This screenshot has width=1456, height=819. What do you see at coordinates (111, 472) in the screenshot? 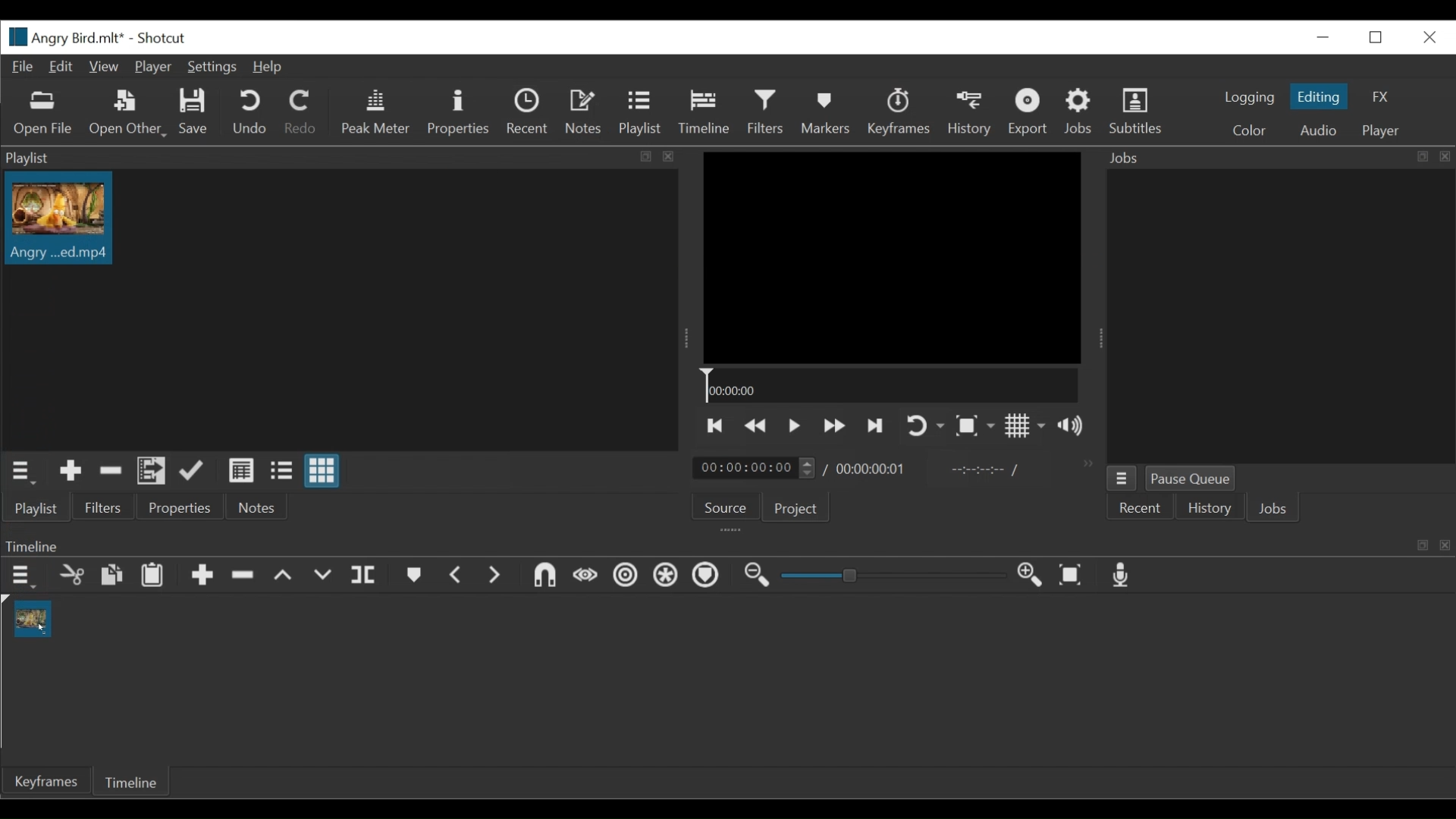
I see `Remove cut` at bounding box center [111, 472].